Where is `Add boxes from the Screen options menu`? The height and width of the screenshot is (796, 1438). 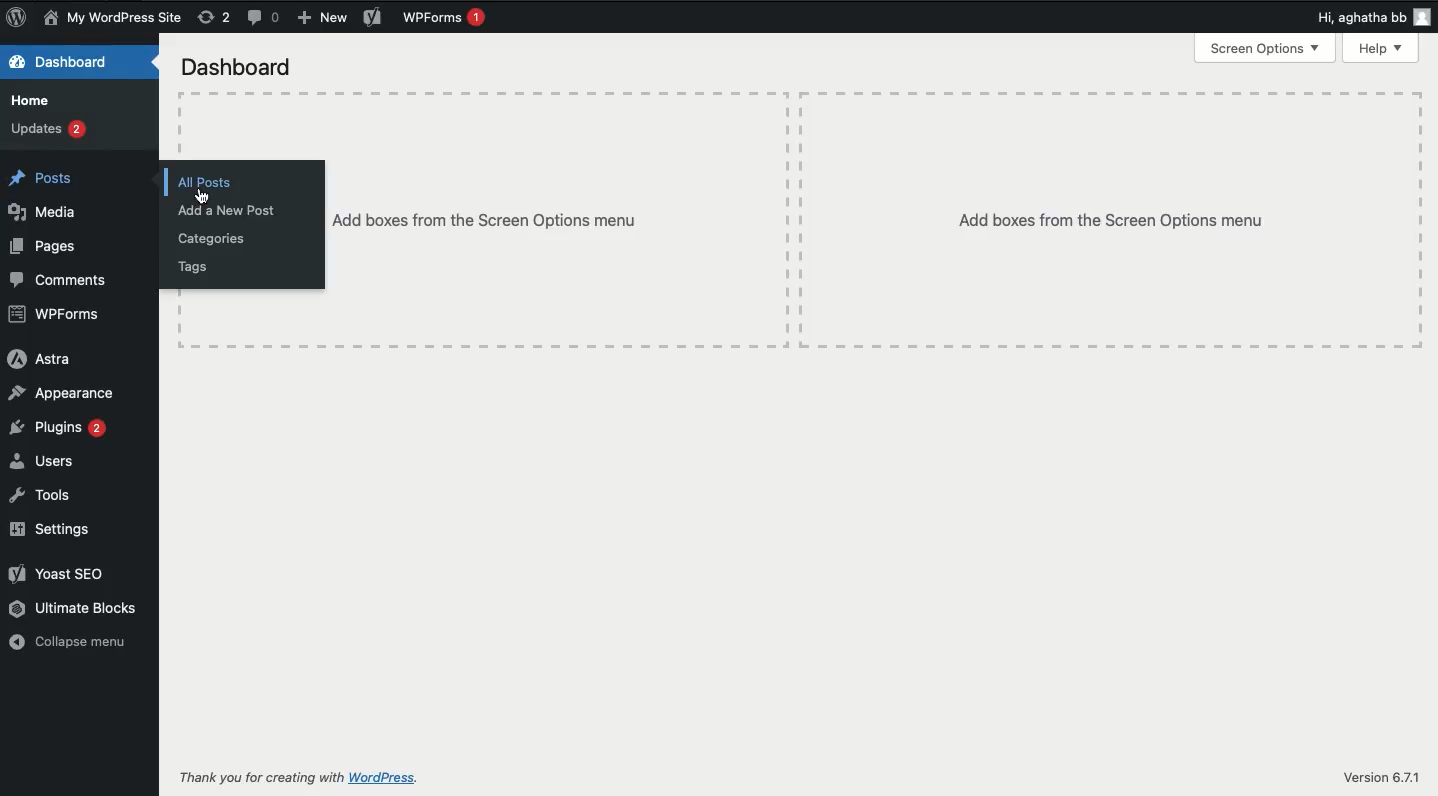 Add boxes from the Screen options menu is located at coordinates (487, 219).